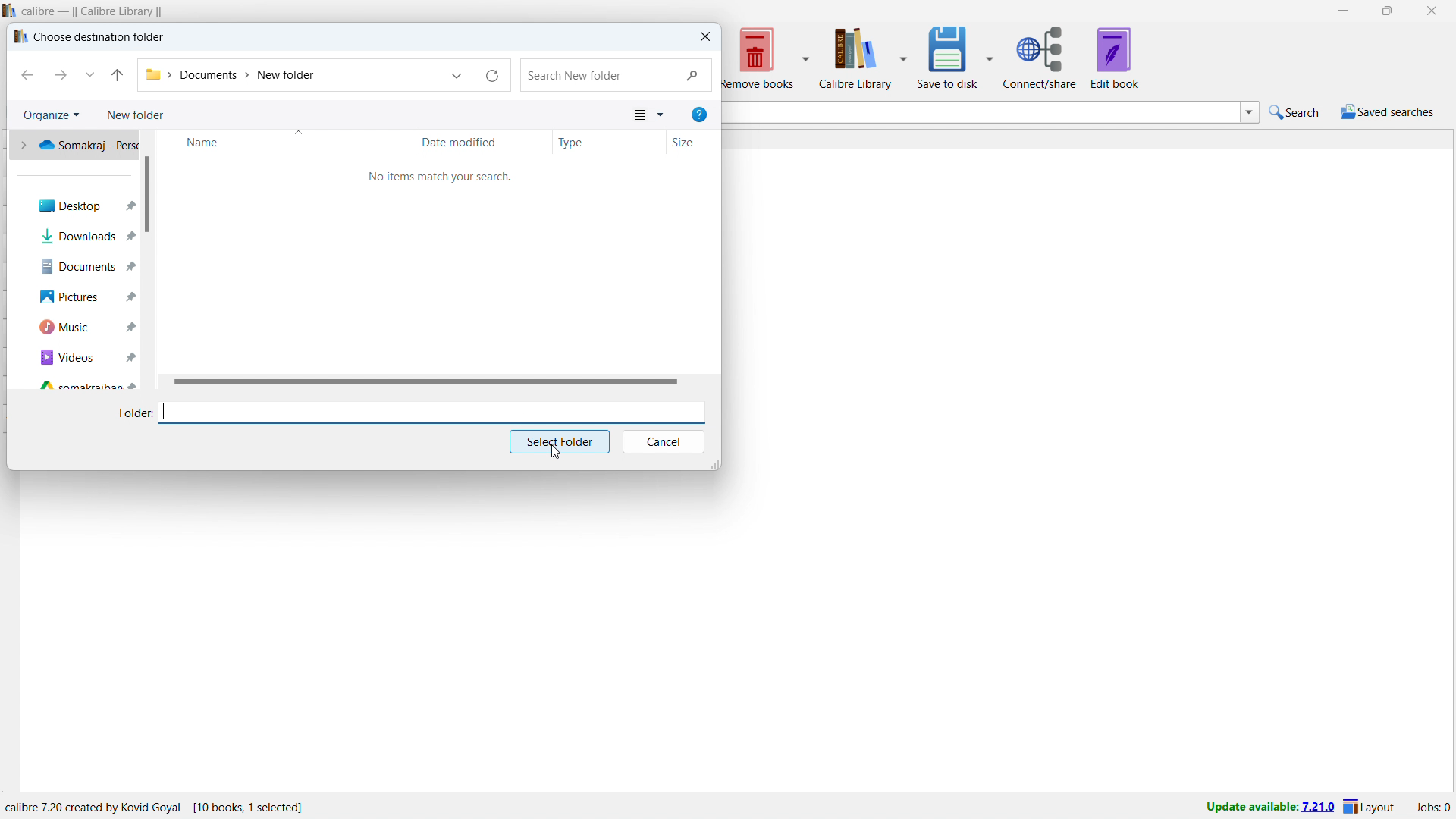 The image size is (1456, 819). What do you see at coordinates (1385, 111) in the screenshot?
I see `saved search menu` at bounding box center [1385, 111].